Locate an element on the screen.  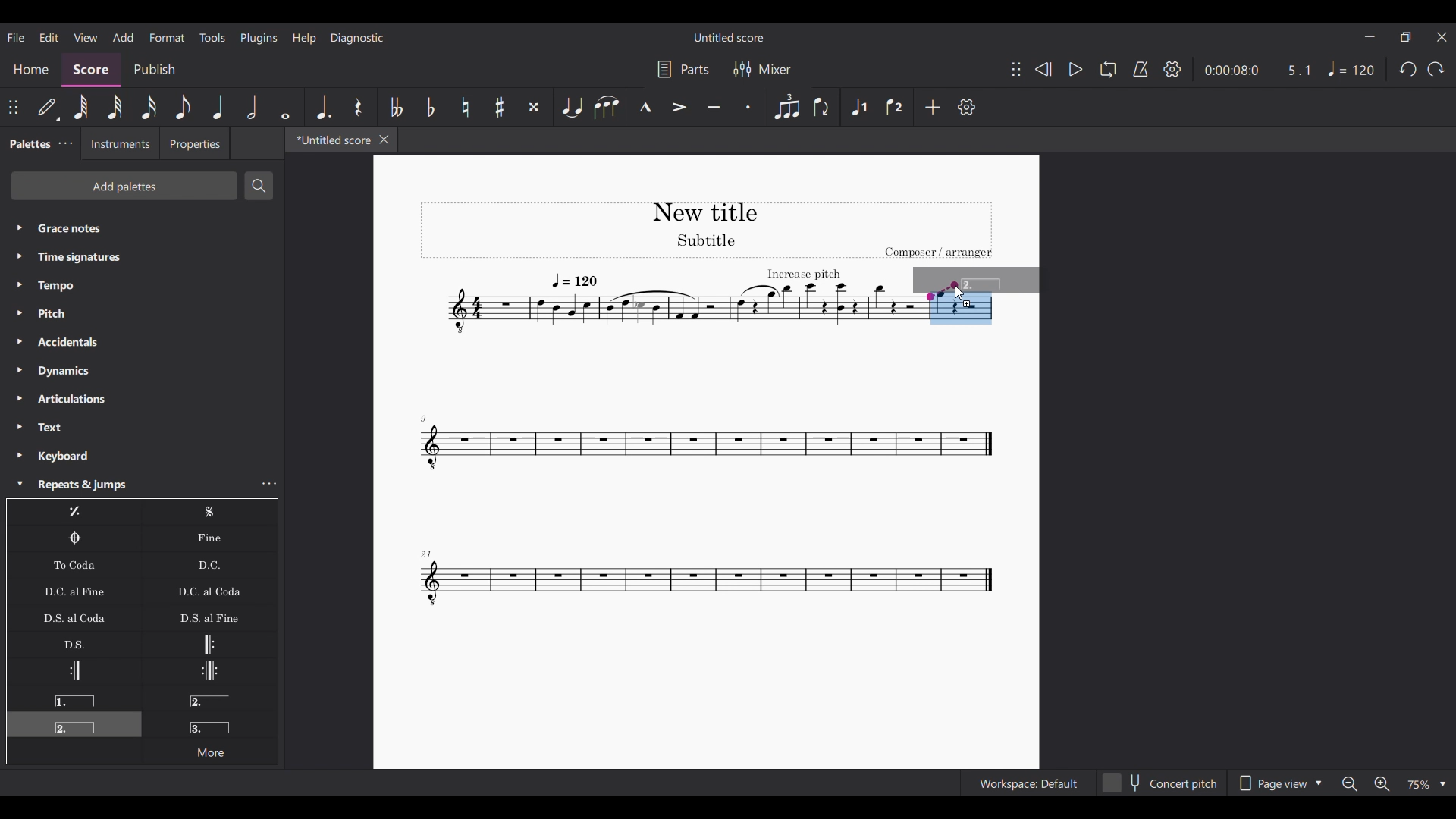
Selected area highlighted is located at coordinates (961, 317).